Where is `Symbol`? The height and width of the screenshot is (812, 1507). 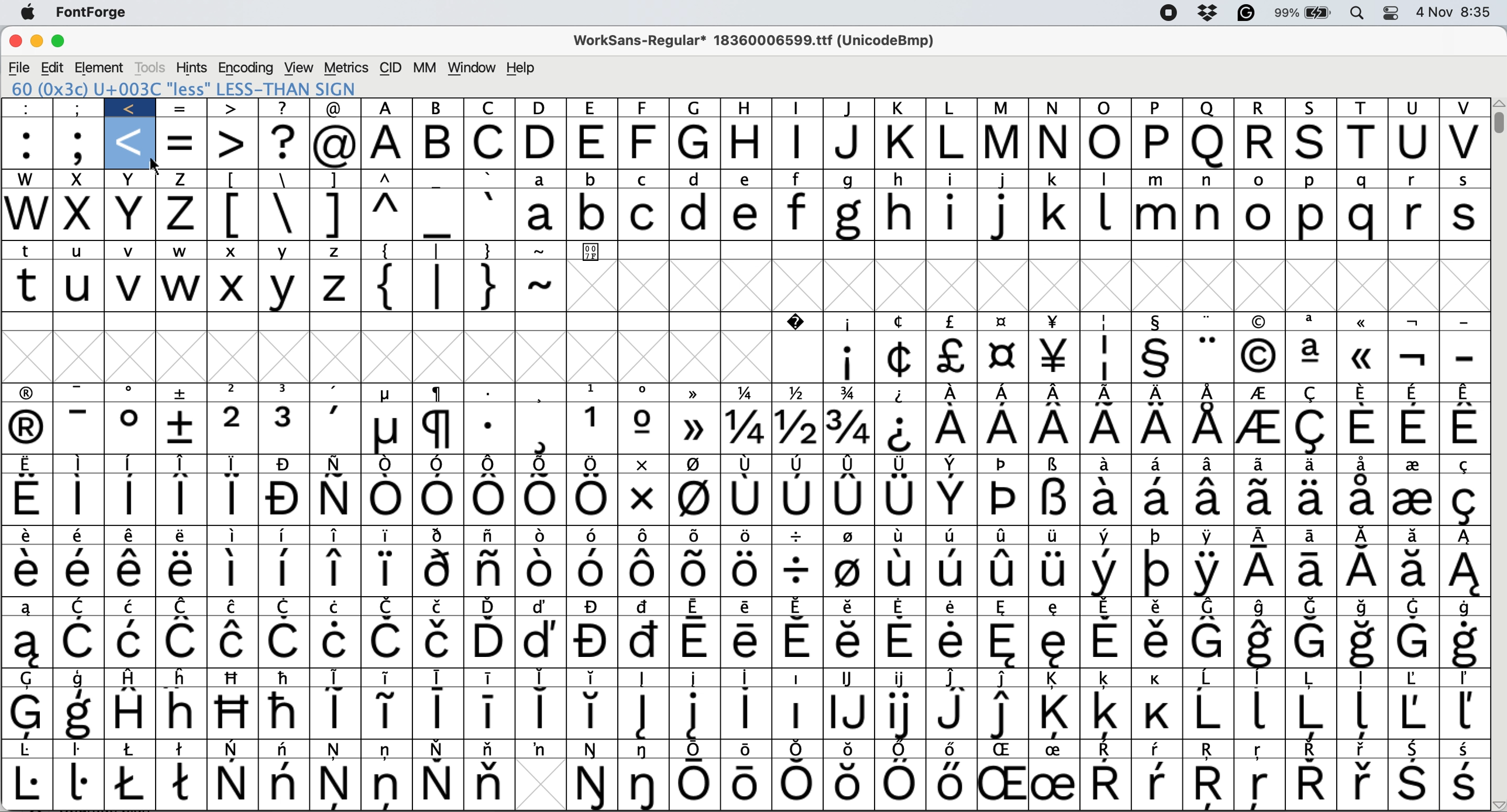 Symbol is located at coordinates (183, 462).